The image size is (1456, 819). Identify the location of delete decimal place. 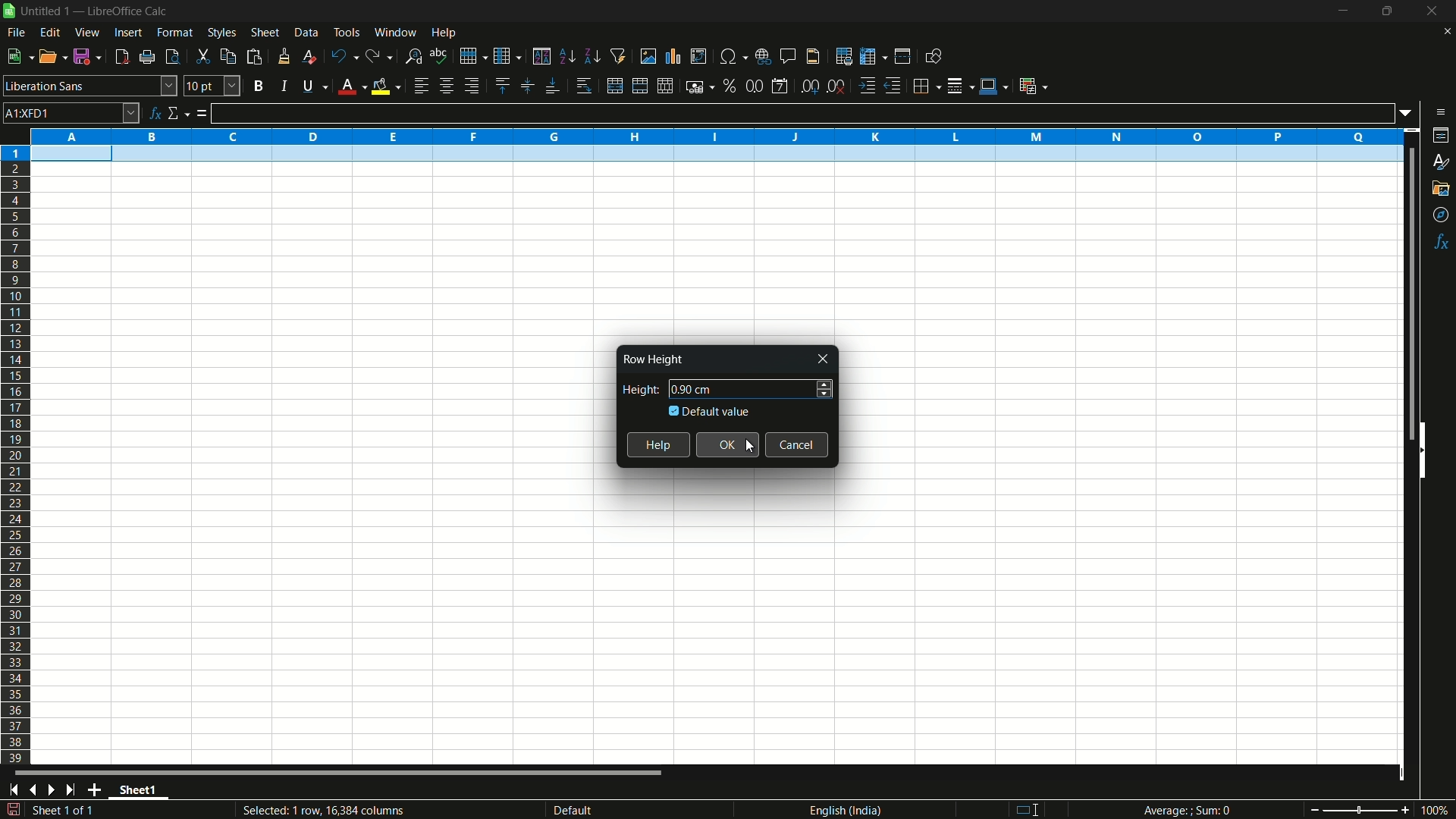
(837, 86).